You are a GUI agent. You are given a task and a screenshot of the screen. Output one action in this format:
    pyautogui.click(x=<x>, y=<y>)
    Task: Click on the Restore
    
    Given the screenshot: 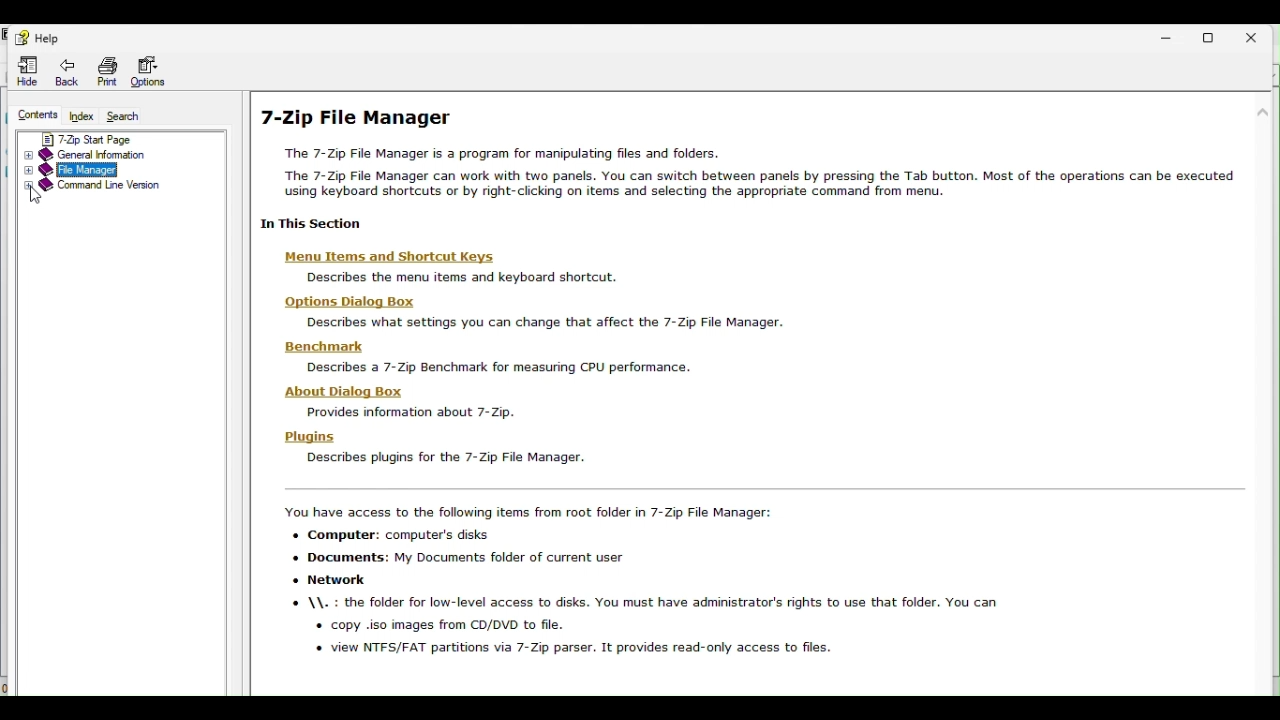 What is the action you would take?
    pyautogui.click(x=1215, y=35)
    